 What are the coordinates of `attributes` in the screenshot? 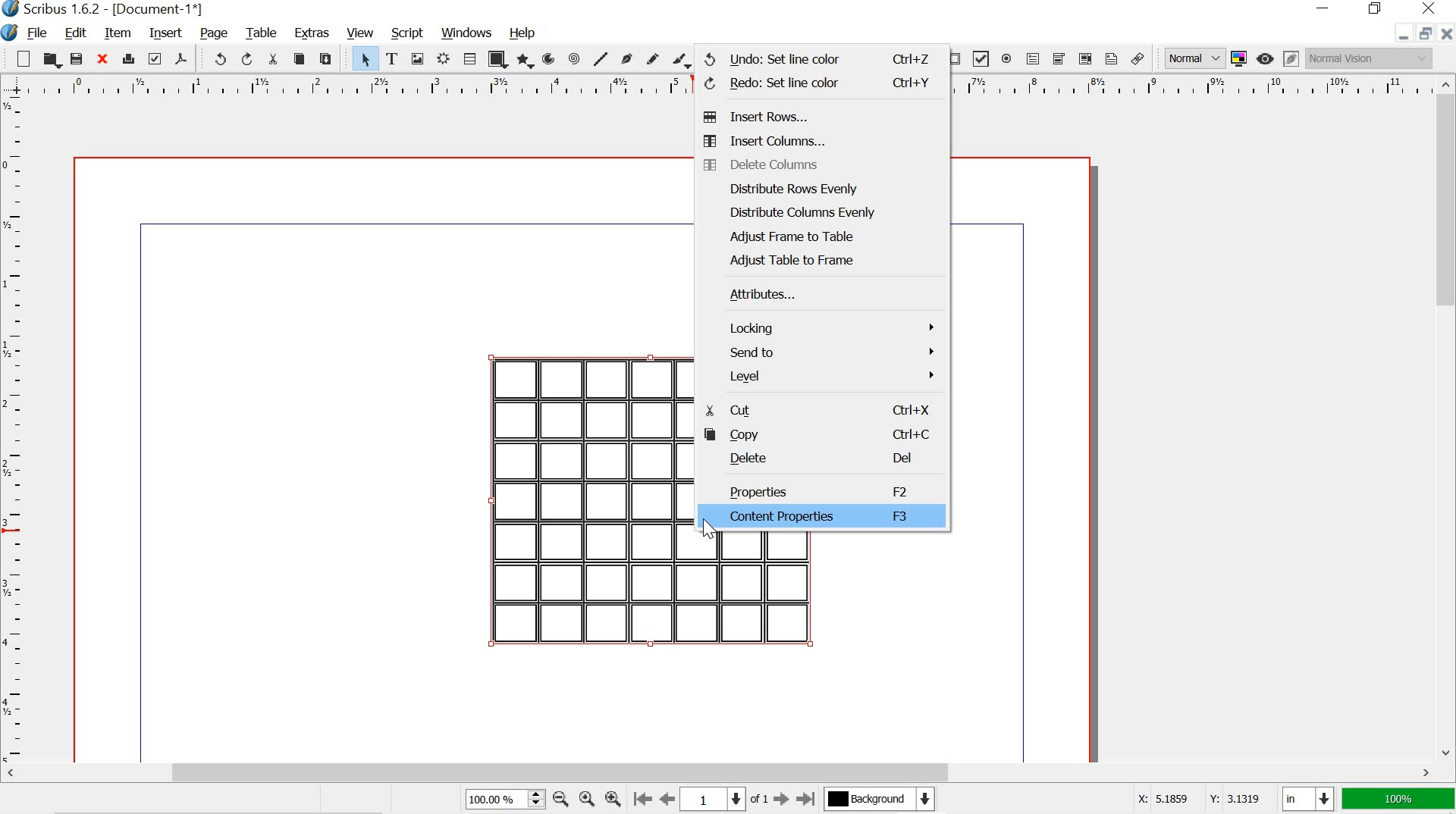 It's located at (830, 293).